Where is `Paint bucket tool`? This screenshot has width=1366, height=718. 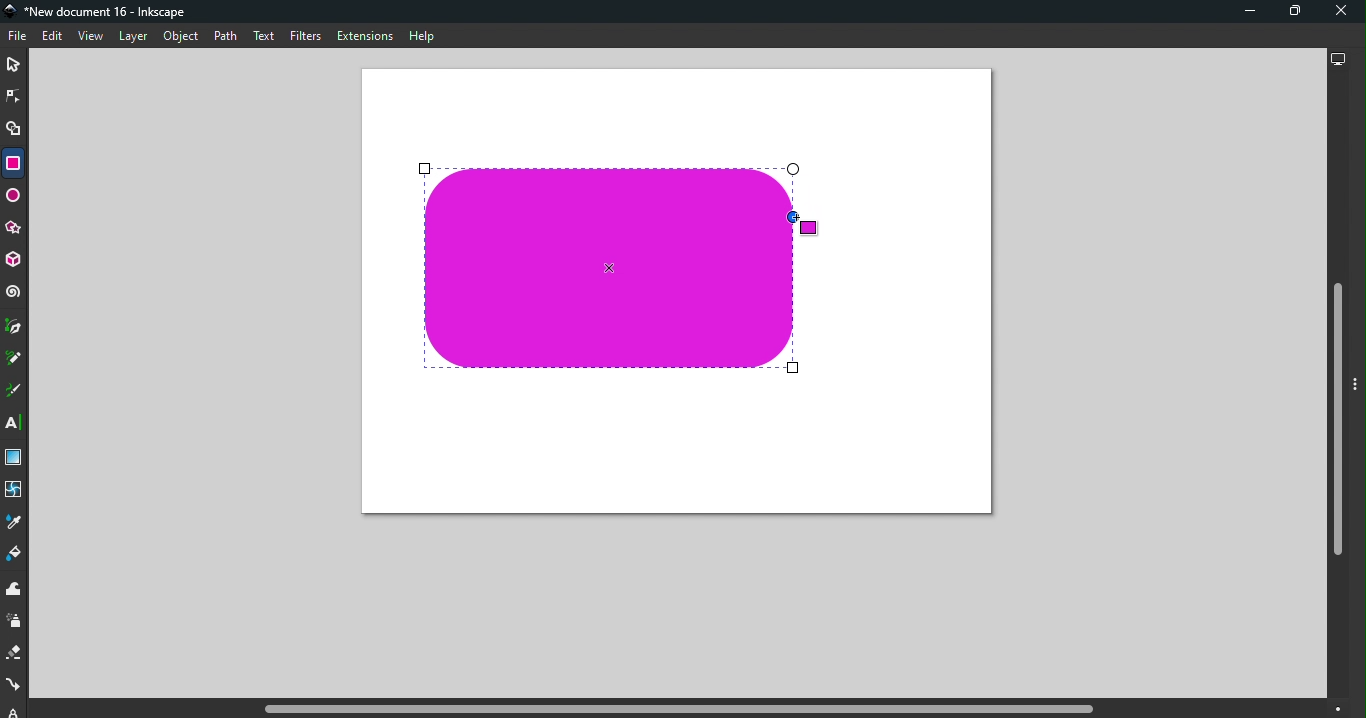 Paint bucket tool is located at coordinates (15, 556).